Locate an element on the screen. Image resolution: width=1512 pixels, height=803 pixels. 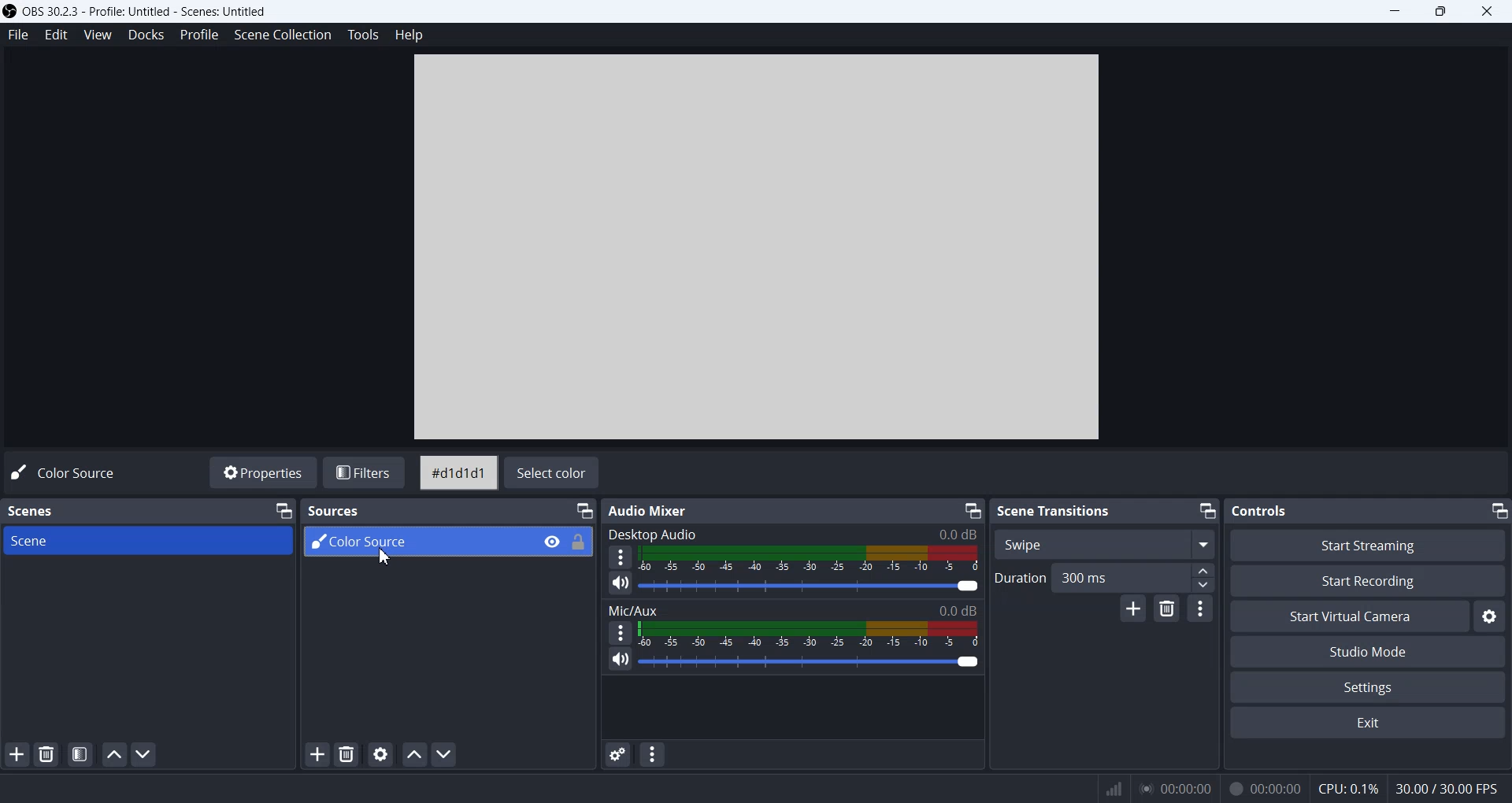
00:00:00 is located at coordinates (1173, 787).